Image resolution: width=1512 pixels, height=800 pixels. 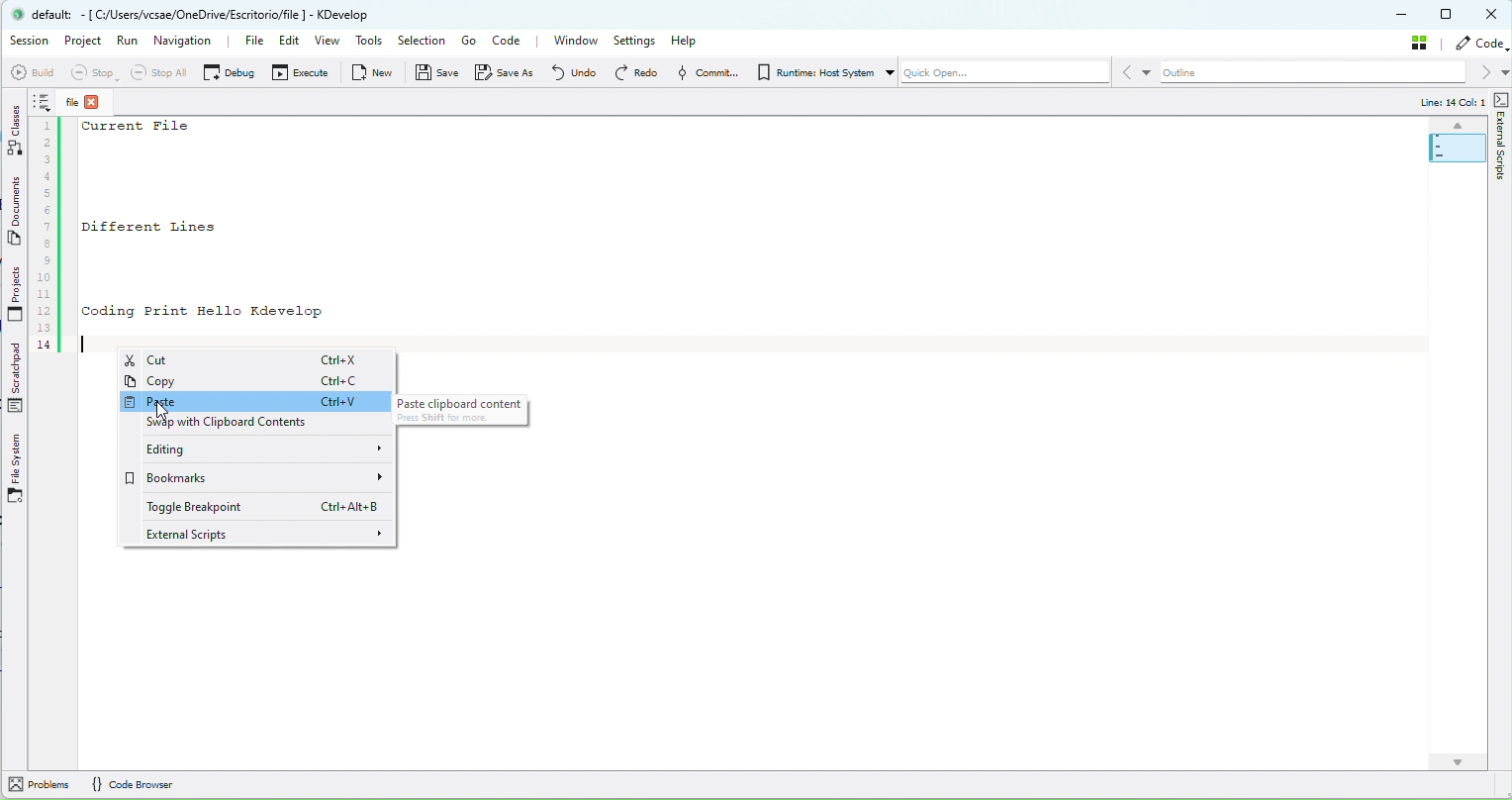 What do you see at coordinates (141, 128) in the screenshot?
I see `Current File` at bounding box center [141, 128].